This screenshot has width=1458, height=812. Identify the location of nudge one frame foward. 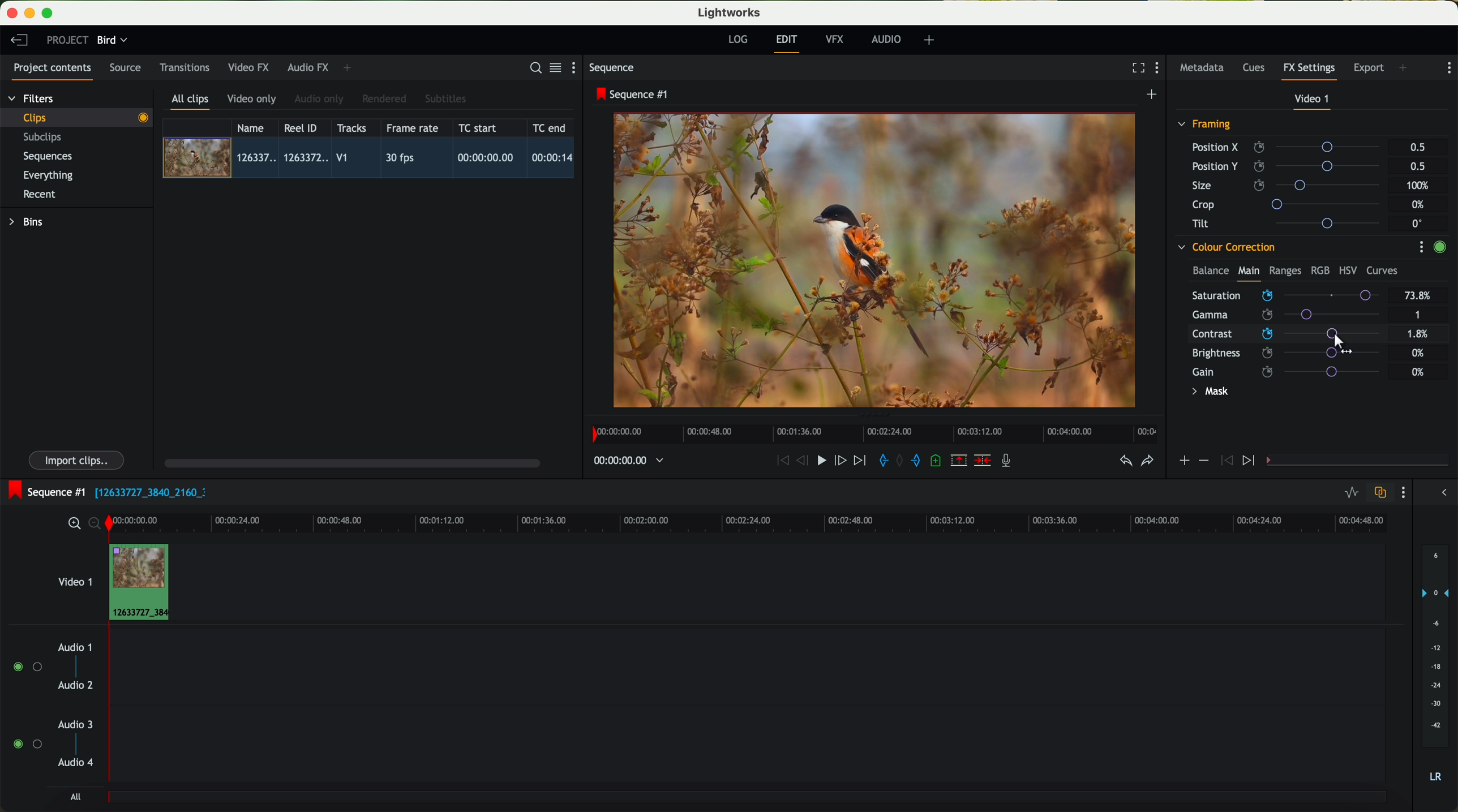
(842, 461).